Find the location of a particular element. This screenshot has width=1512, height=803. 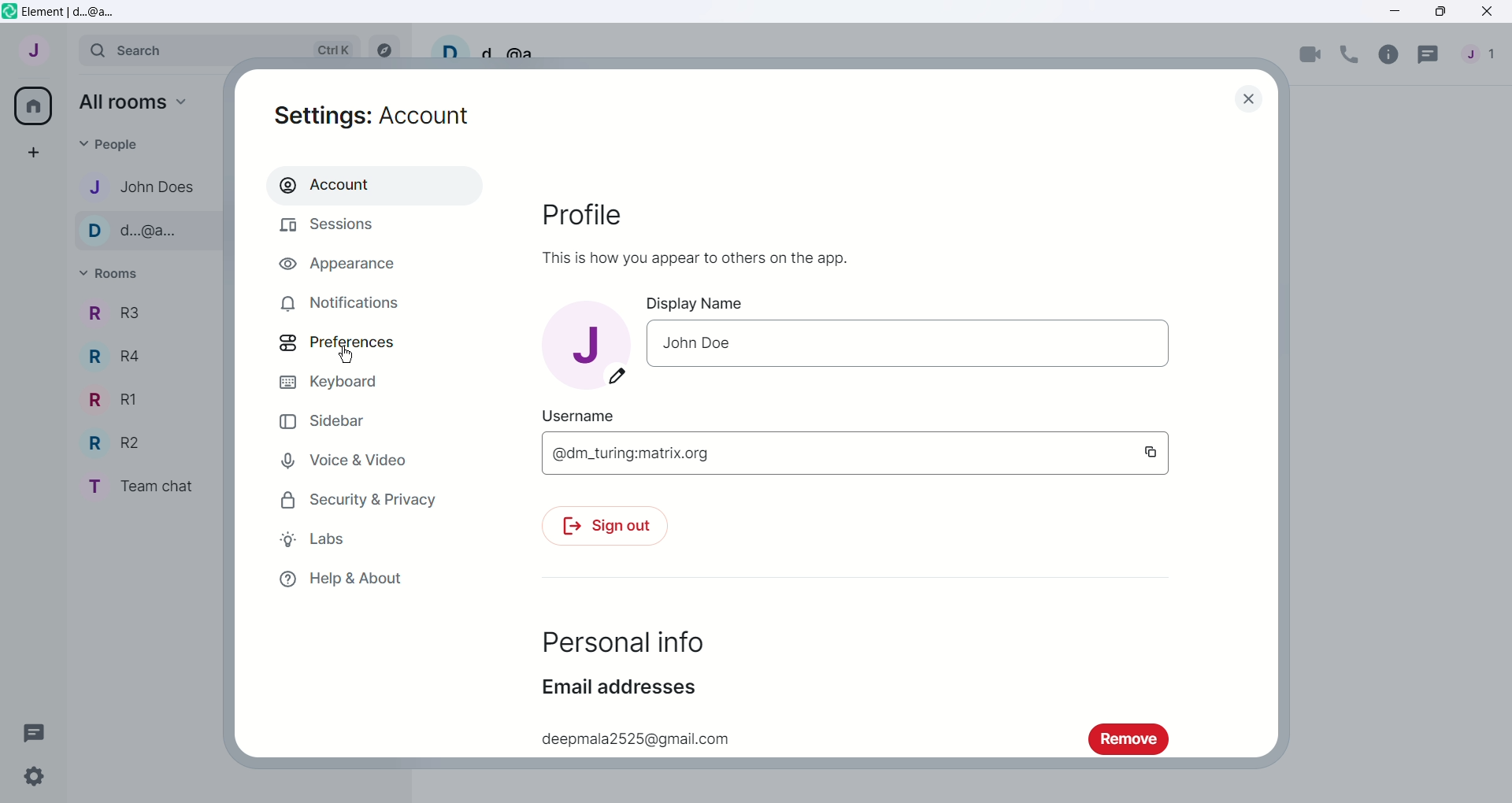

Email addresses is located at coordinates (620, 686).